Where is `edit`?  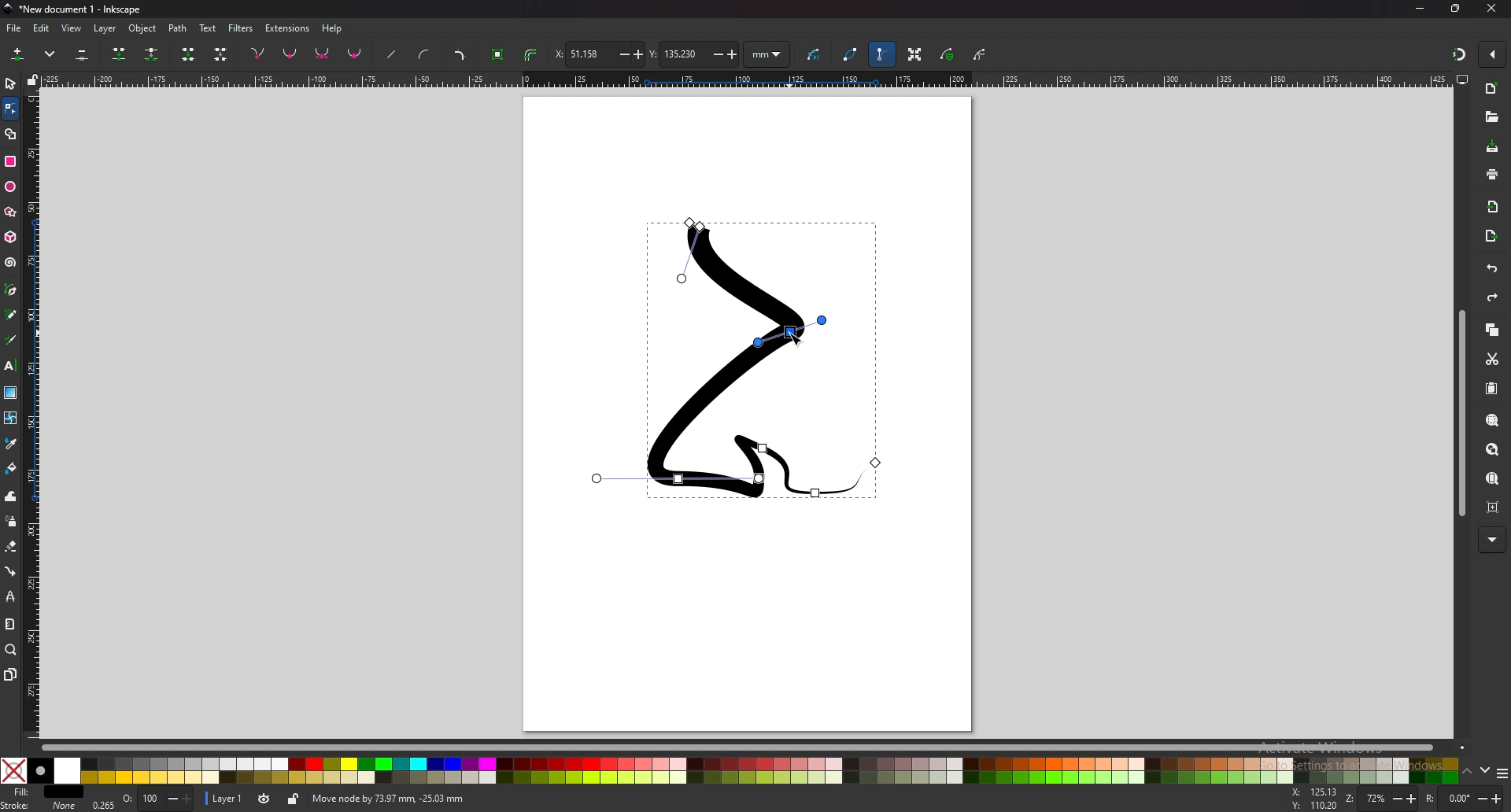
edit is located at coordinates (41, 28).